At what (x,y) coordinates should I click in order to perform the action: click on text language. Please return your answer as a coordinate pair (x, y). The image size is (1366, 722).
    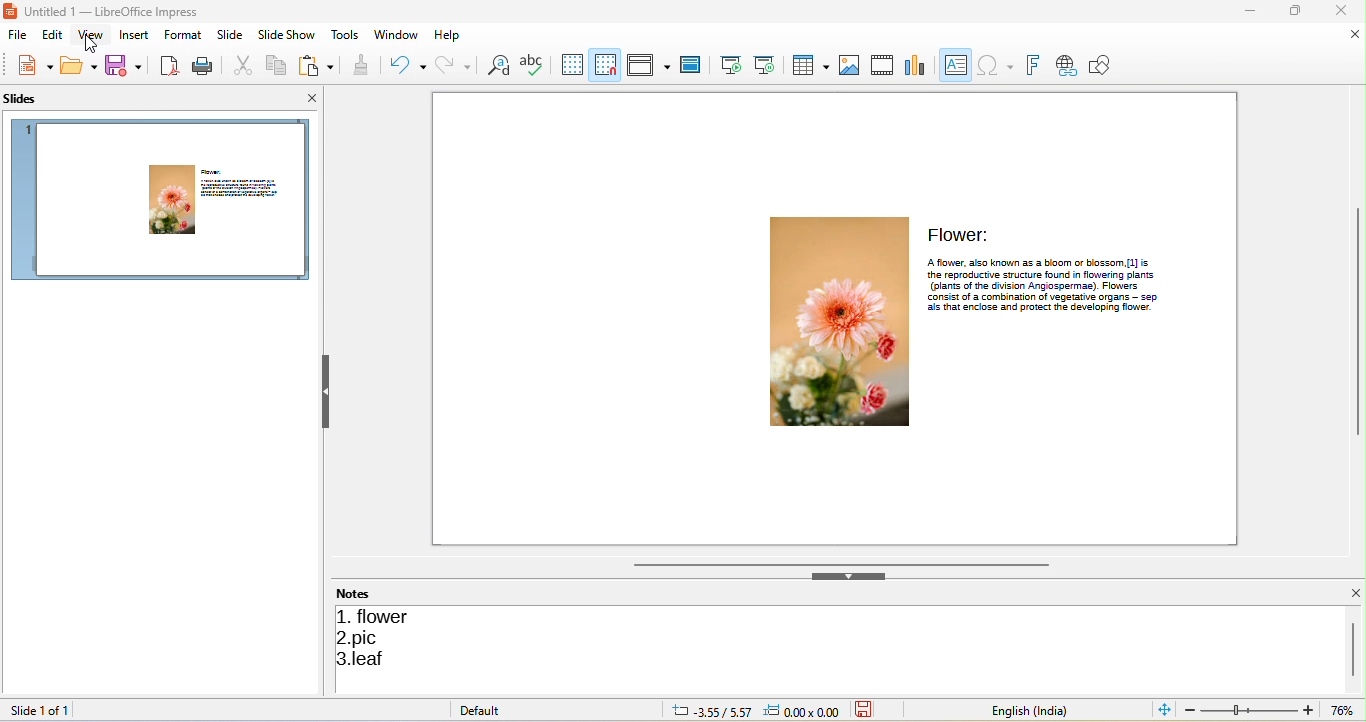
    Looking at the image, I should click on (1039, 709).